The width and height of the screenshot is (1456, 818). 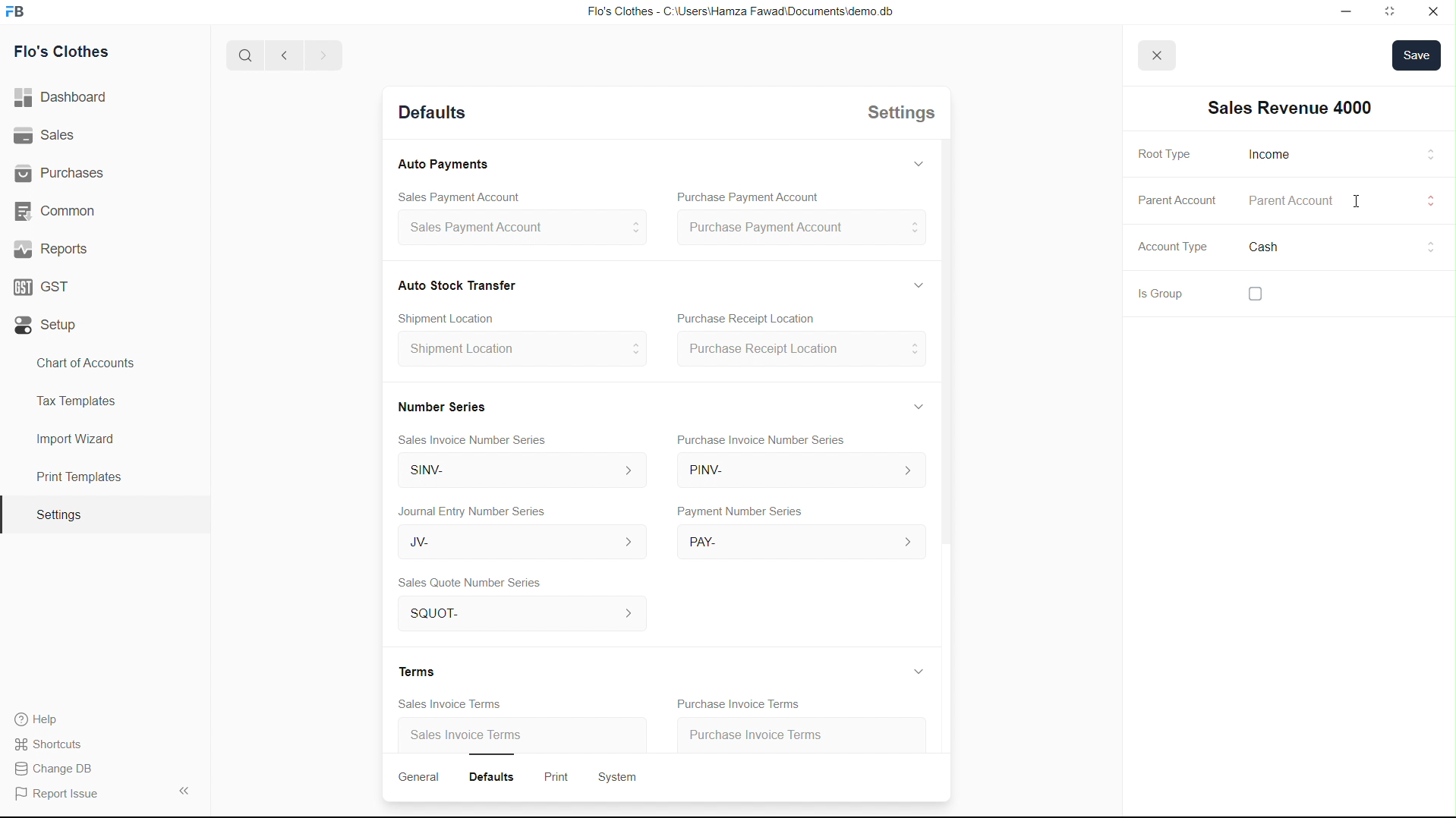 I want to click on Hide , so click(x=915, y=283).